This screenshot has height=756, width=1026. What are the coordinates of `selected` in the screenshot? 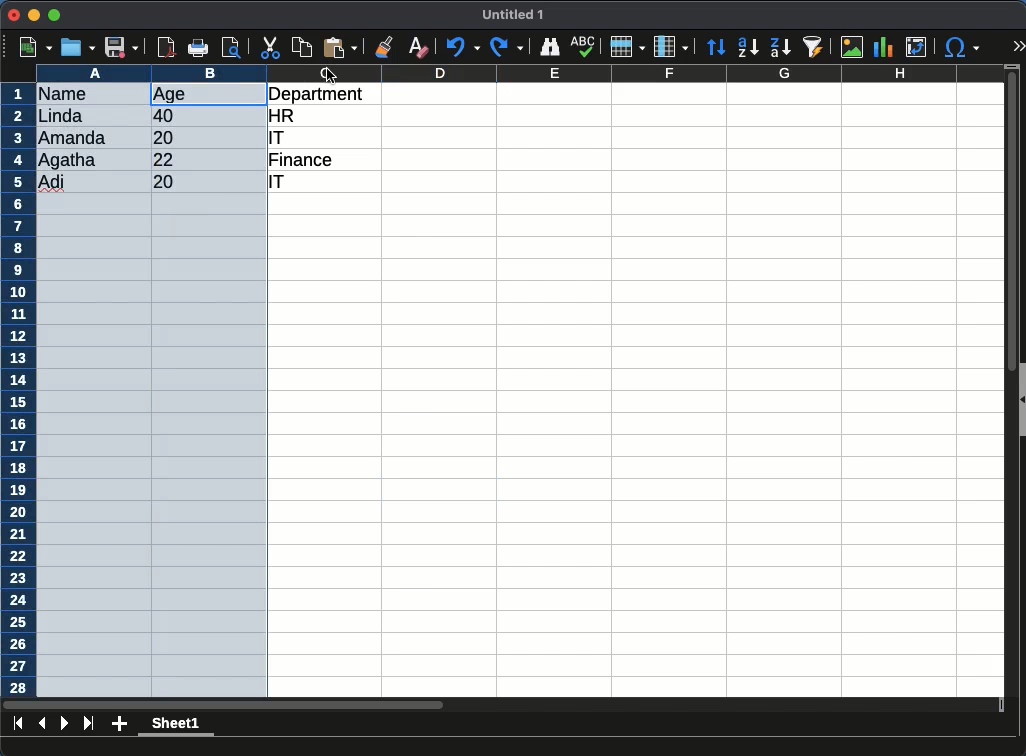 It's located at (151, 390).